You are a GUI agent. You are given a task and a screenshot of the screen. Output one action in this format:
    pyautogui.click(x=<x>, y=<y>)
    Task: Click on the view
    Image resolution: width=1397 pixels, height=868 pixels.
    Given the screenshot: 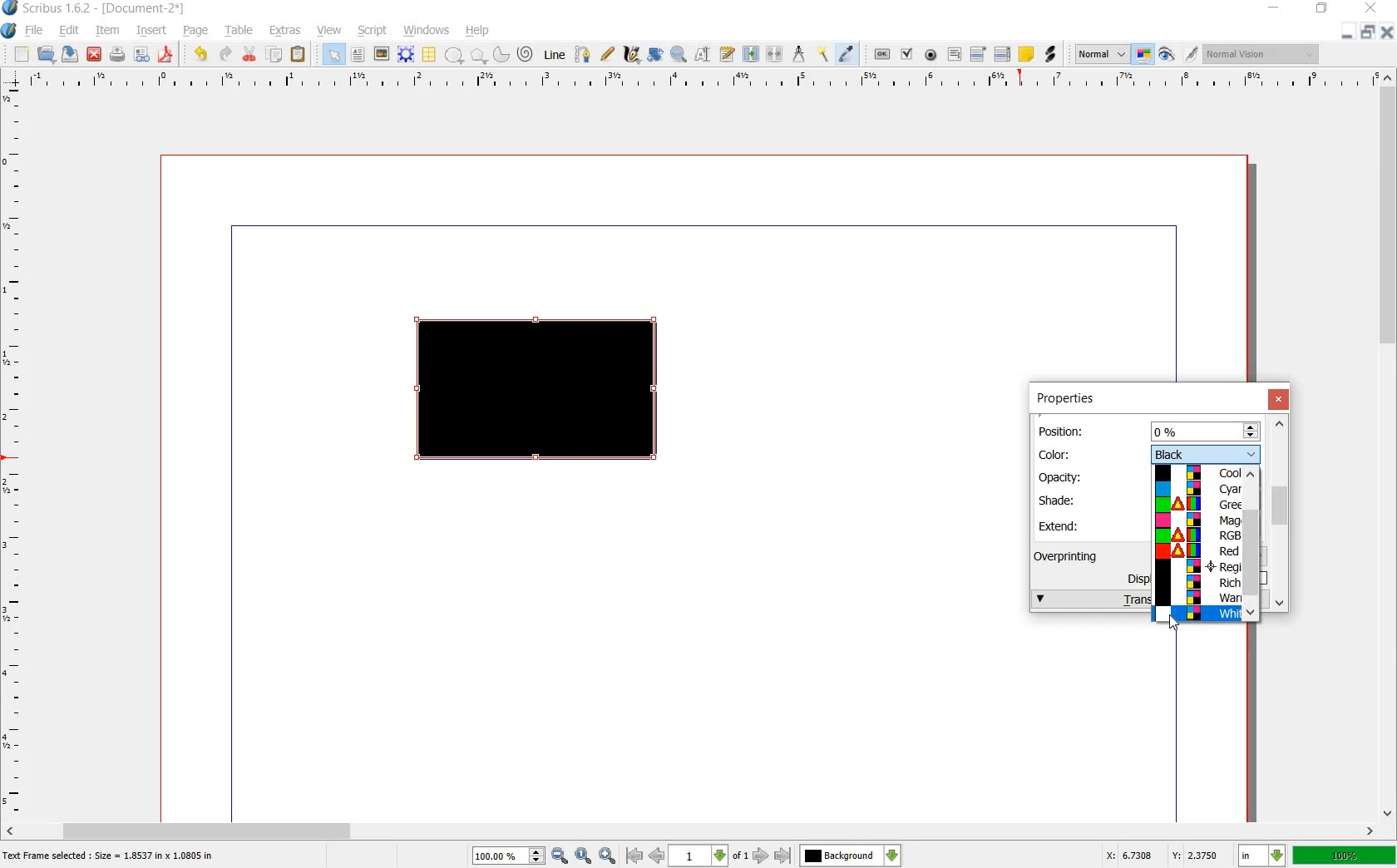 What is the action you would take?
    pyautogui.click(x=330, y=31)
    